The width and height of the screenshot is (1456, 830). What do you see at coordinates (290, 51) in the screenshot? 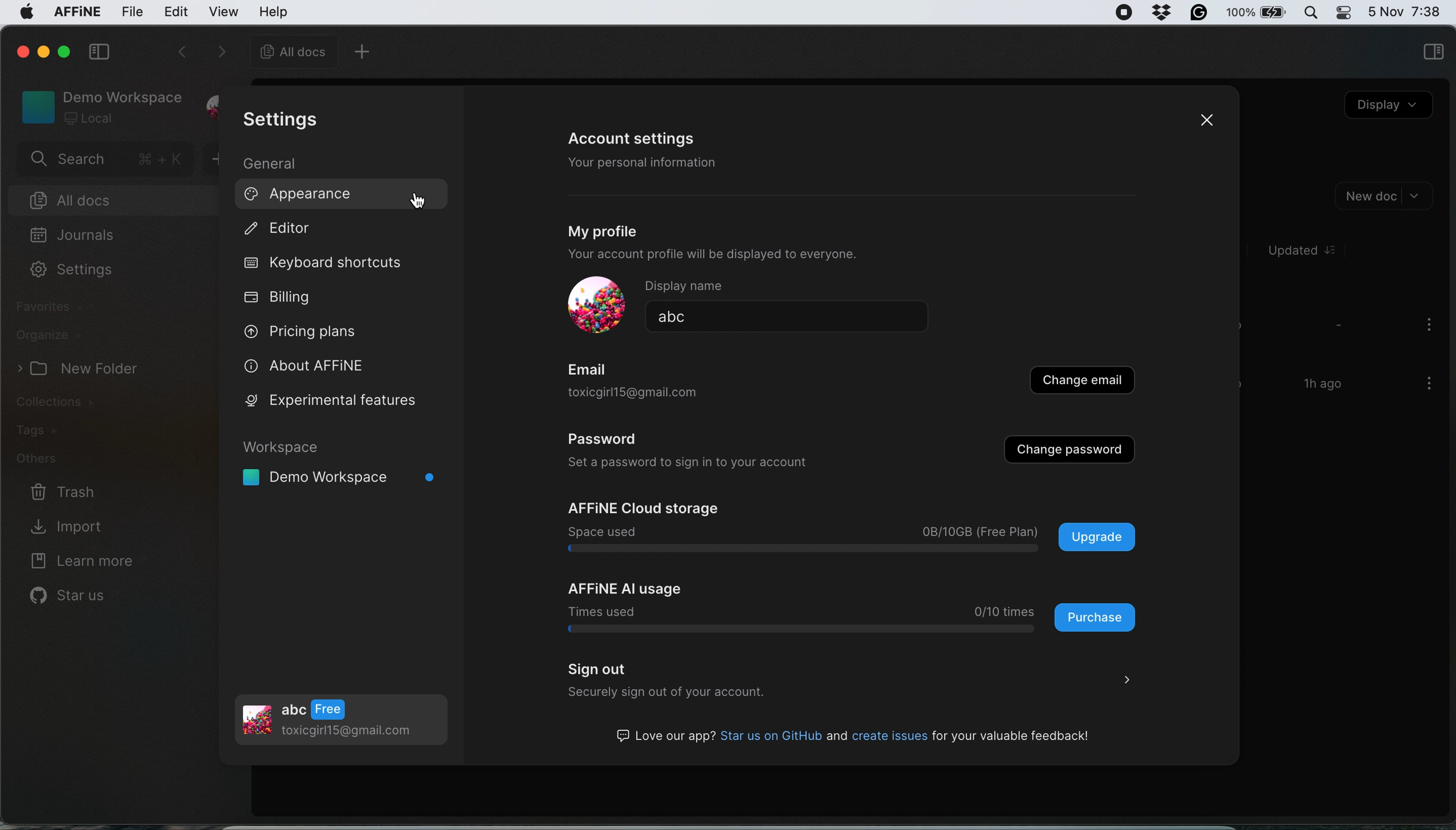
I see `all docs` at bounding box center [290, 51].